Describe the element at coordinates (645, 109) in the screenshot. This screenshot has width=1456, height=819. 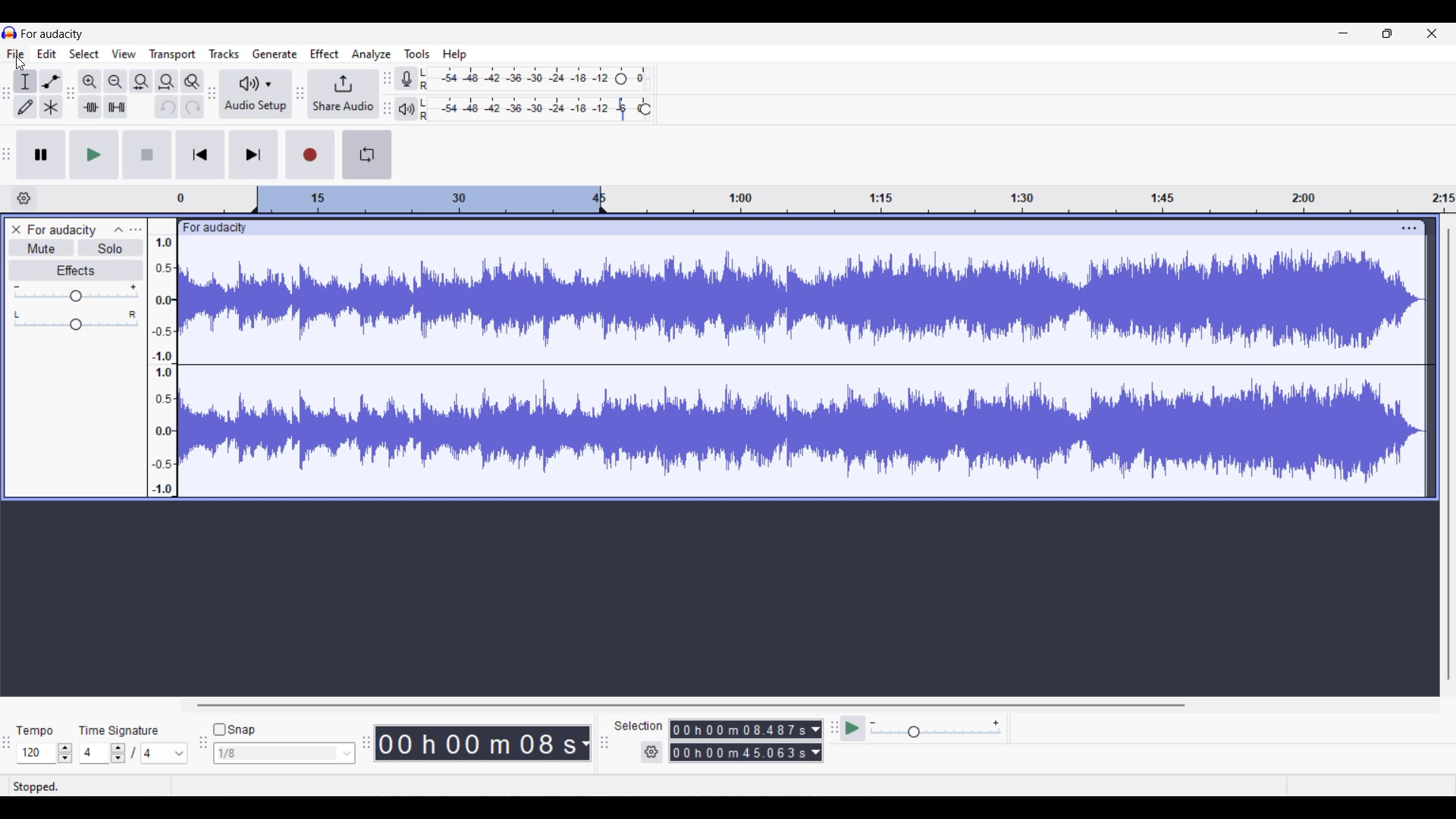
I see `Header to change playback speed` at that location.